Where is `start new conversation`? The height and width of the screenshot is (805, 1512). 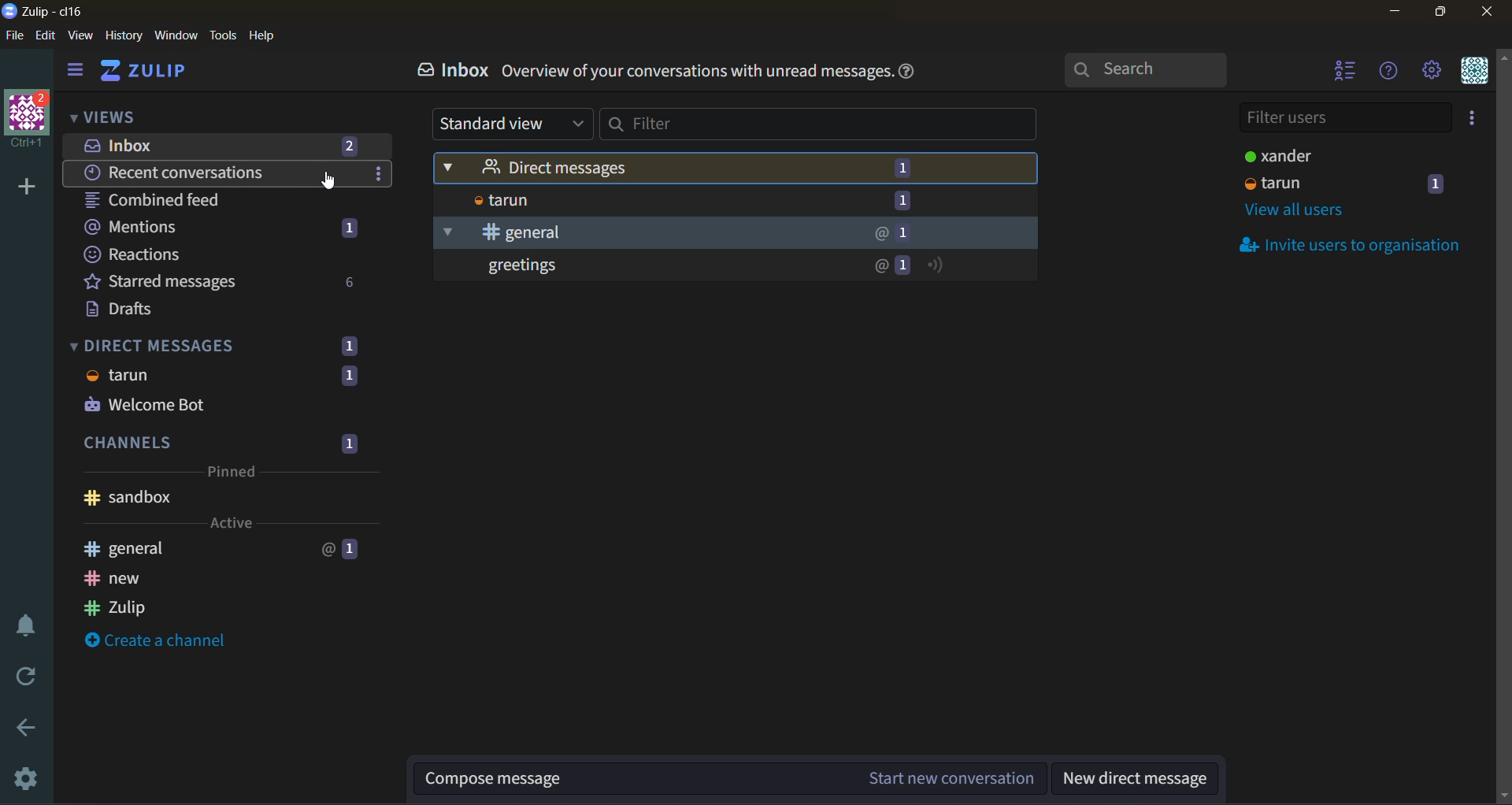 start new conversation is located at coordinates (948, 780).